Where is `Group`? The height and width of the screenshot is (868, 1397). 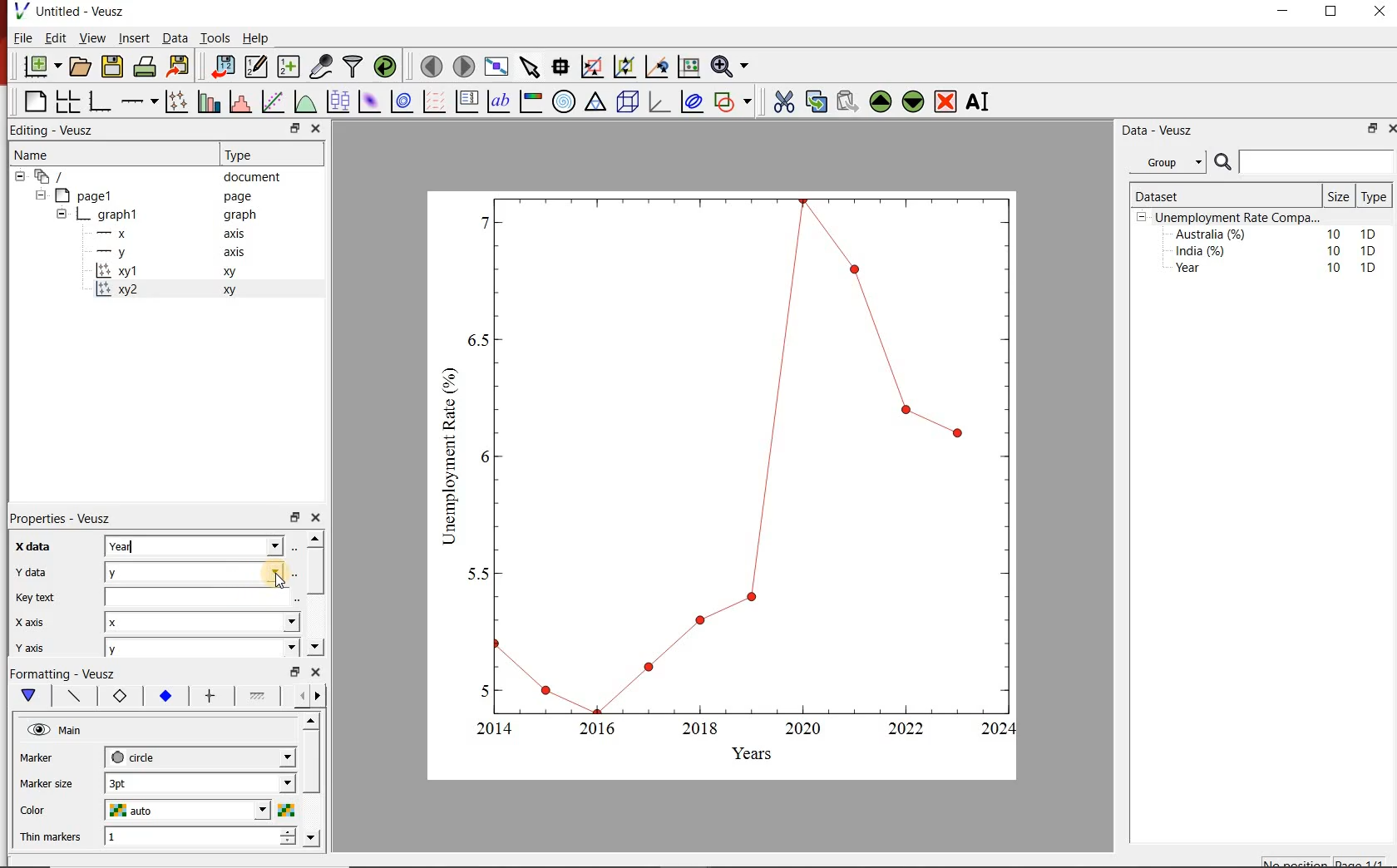 Group is located at coordinates (1170, 162).